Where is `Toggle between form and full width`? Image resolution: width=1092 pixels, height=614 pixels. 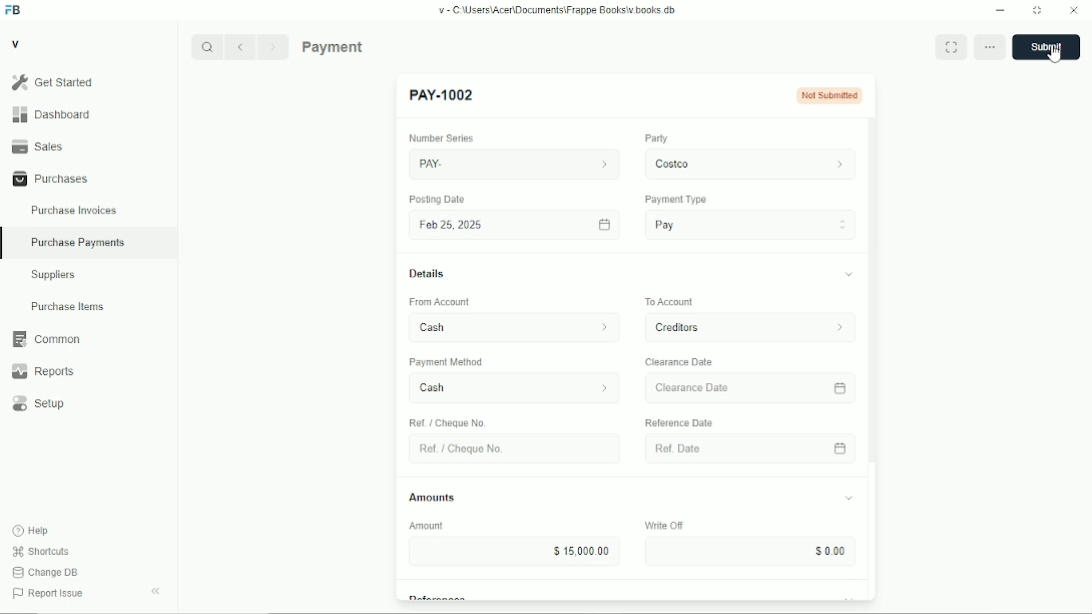
Toggle between form and full width is located at coordinates (951, 48).